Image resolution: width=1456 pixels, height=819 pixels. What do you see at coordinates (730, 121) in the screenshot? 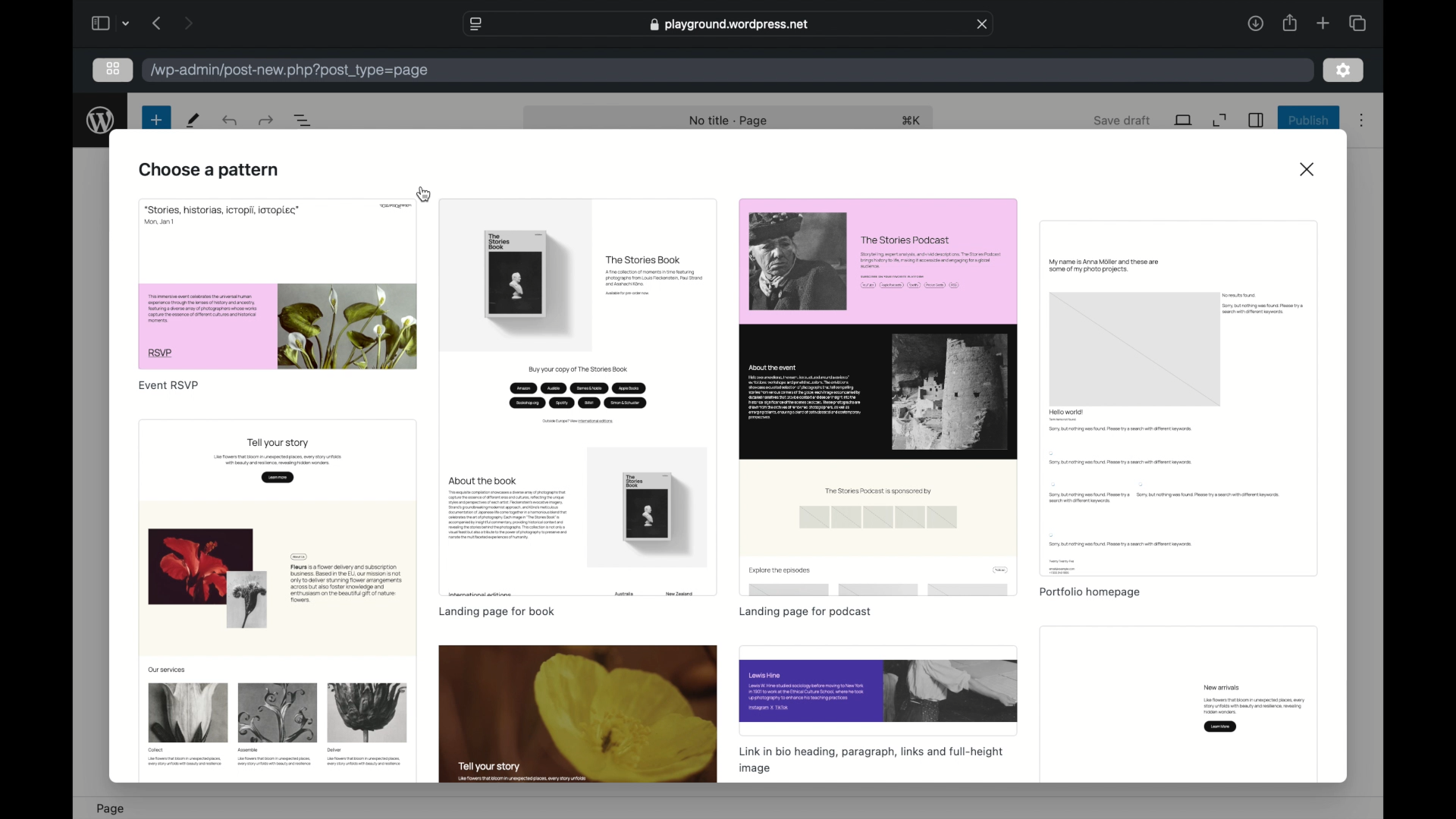
I see `no title - page` at bounding box center [730, 121].